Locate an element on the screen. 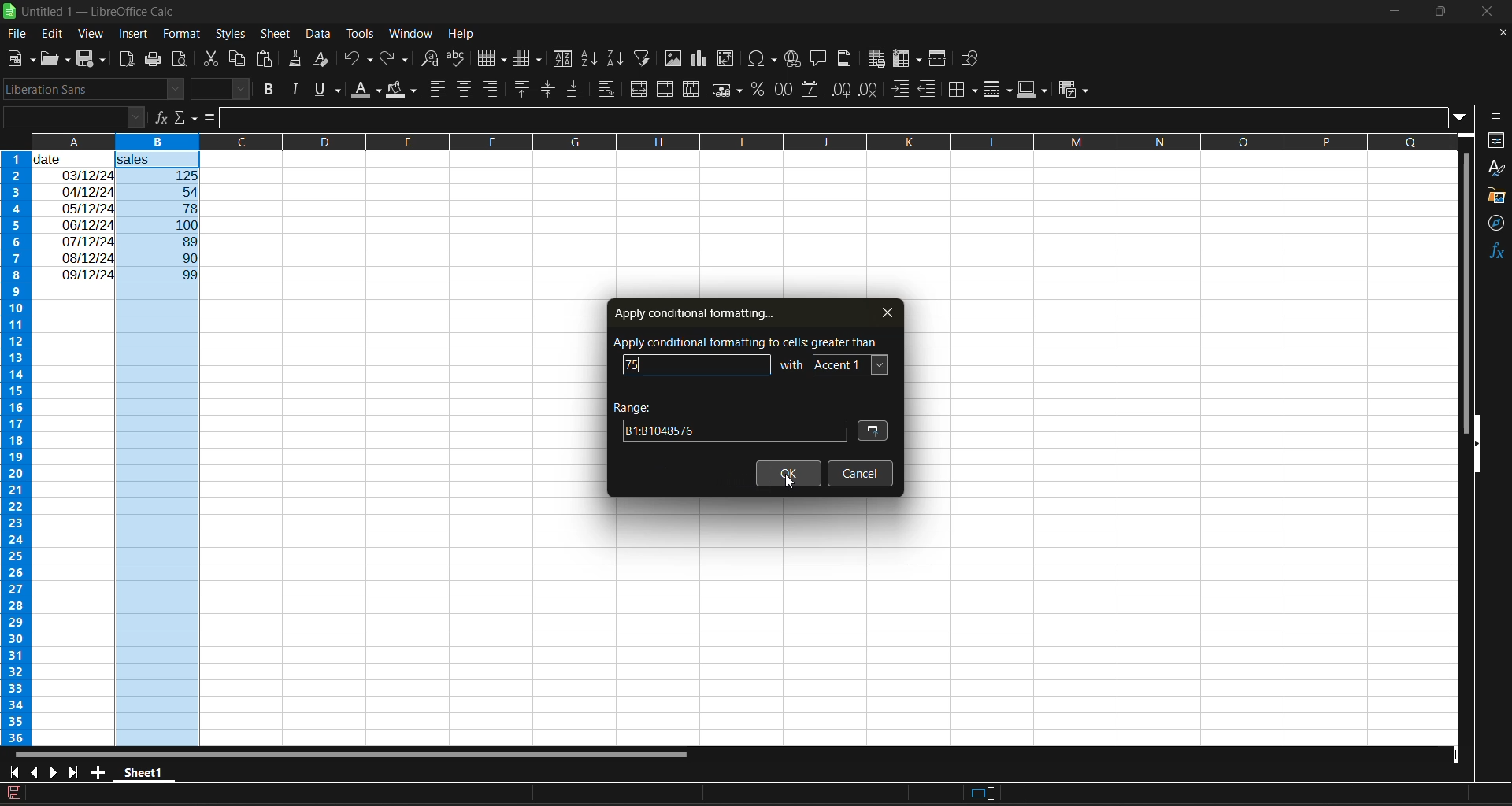 The height and width of the screenshot is (806, 1512). unmerge cells is located at coordinates (691, 91).